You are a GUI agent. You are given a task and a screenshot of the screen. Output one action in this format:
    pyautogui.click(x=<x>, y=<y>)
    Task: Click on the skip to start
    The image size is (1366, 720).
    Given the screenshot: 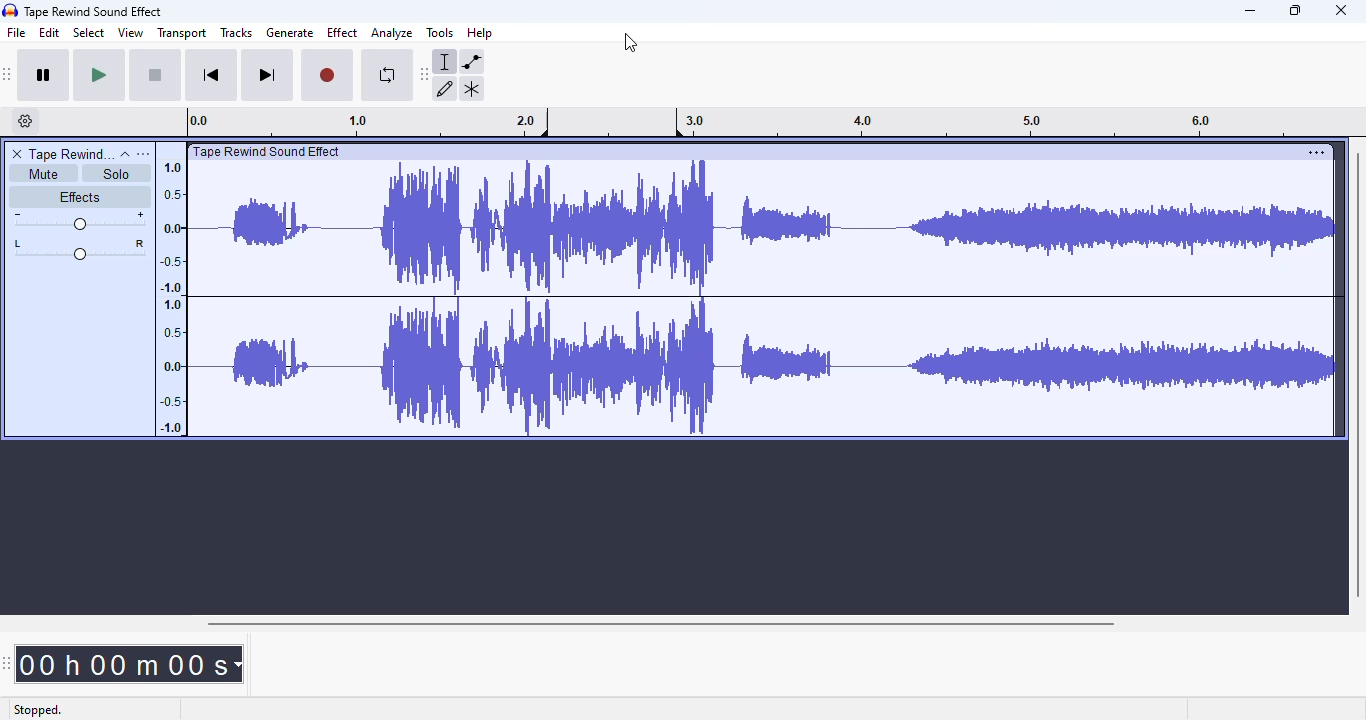 What is the action you would take?
    pyautogui.click(x=212, y=75)
    